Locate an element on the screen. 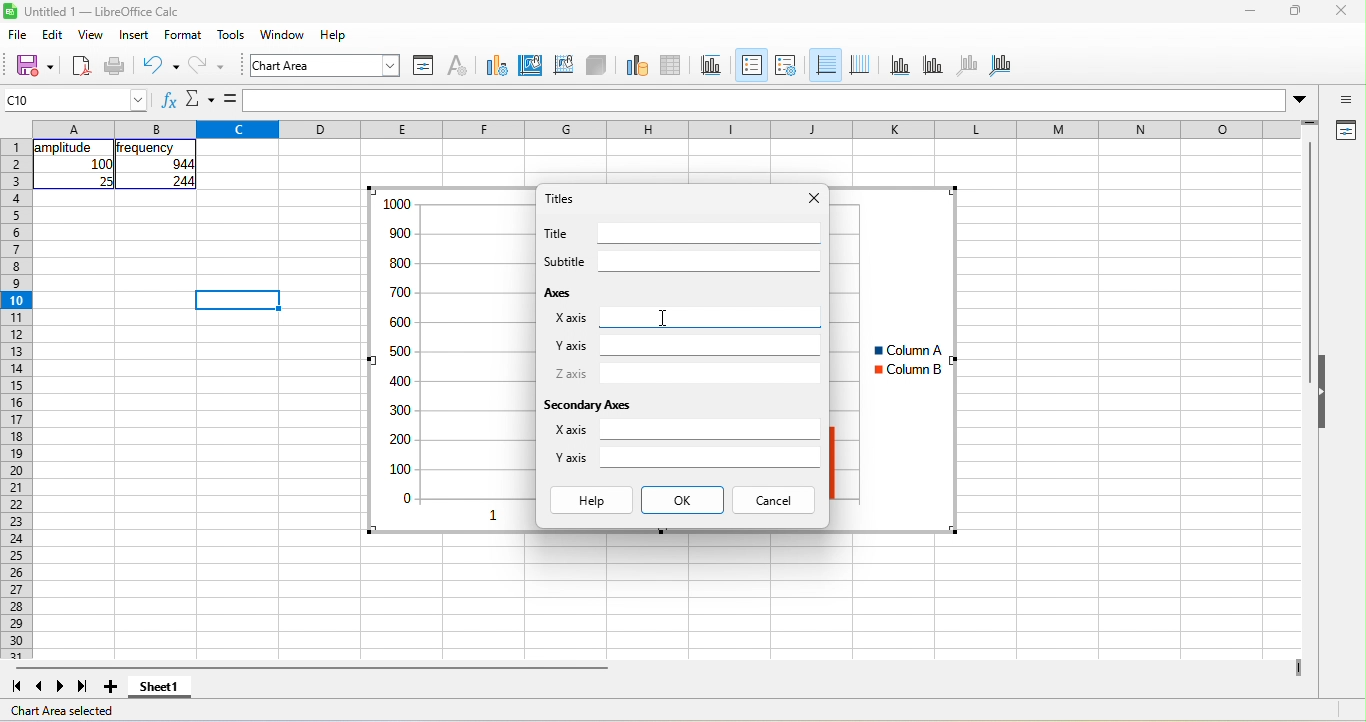 The image size is (1366, 722). 044 is located at coordinates (183, 164).